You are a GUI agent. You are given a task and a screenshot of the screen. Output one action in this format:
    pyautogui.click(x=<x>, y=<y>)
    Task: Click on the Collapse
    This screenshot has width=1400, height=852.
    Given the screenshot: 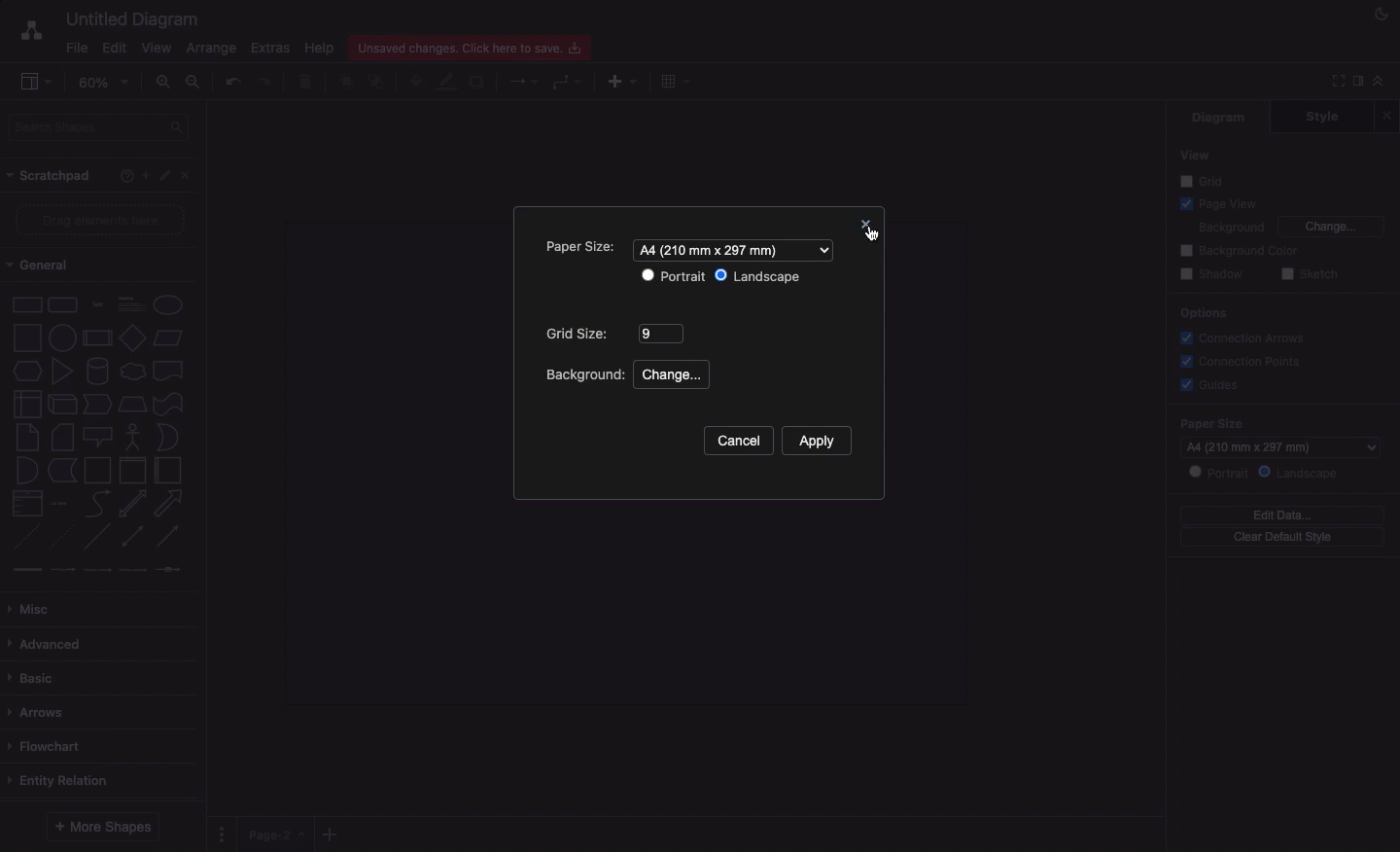 What is the action you would take?
    pyautogui.click(x=1379, y=80)
    